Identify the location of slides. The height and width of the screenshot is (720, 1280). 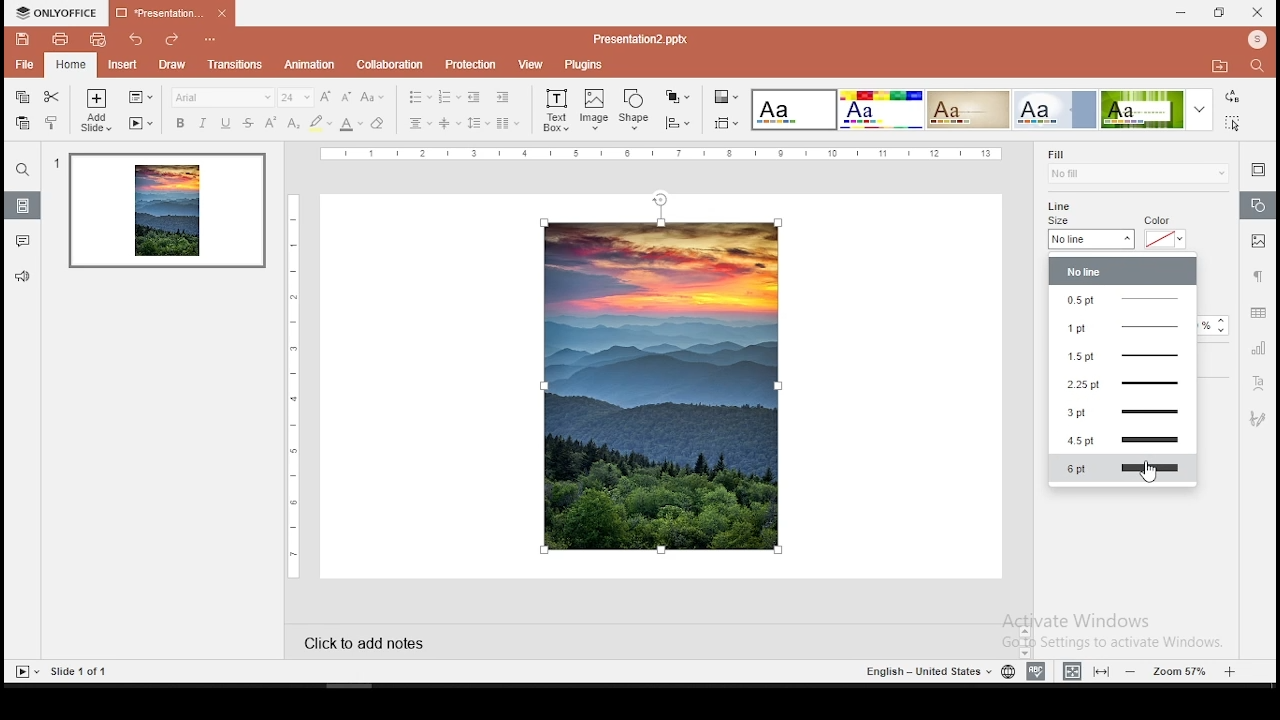
(23, 205).